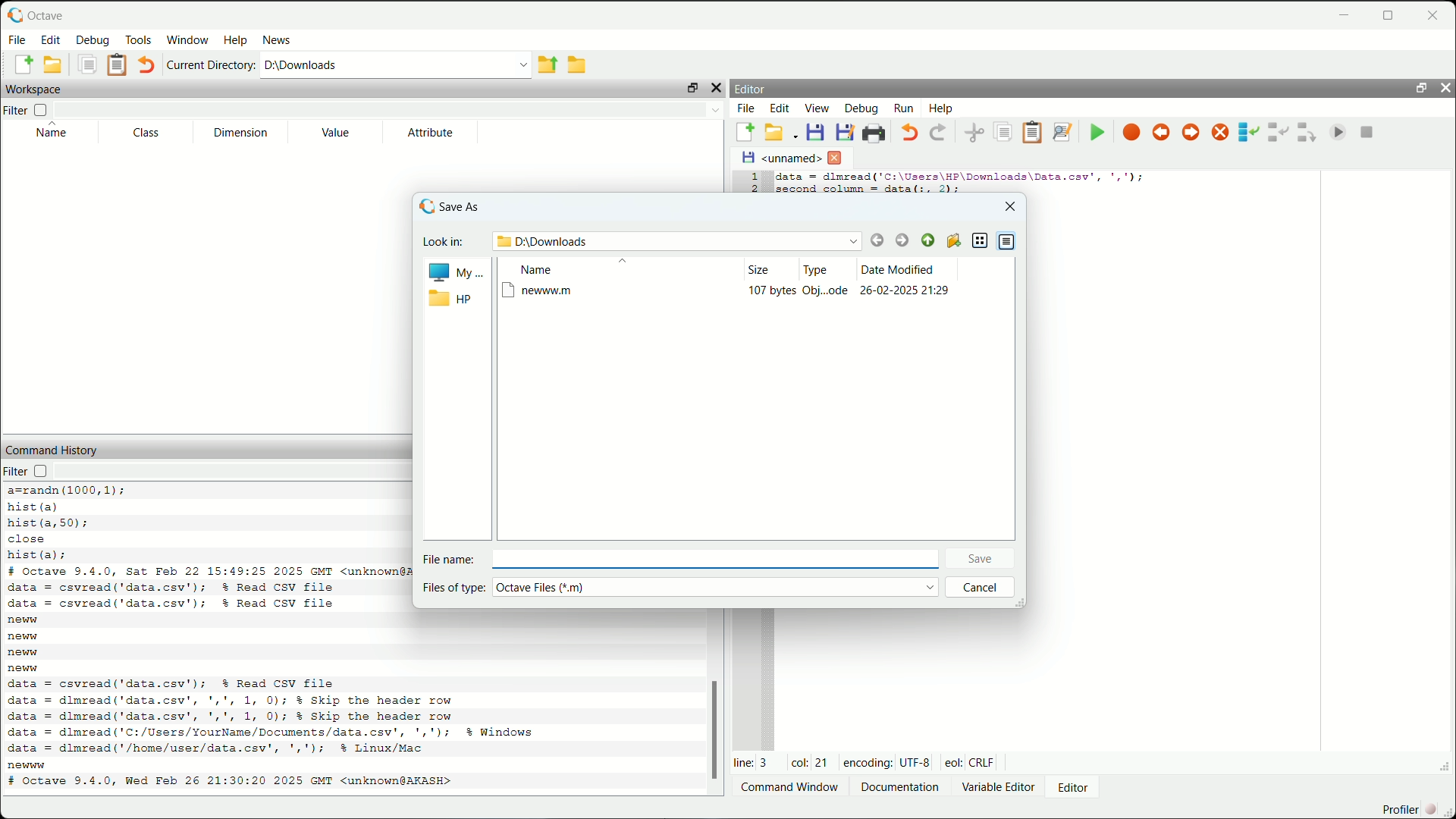 The width and height of the screenshot is (1456, 819). I want to click on save file and run/continue, so click(1097, 132).